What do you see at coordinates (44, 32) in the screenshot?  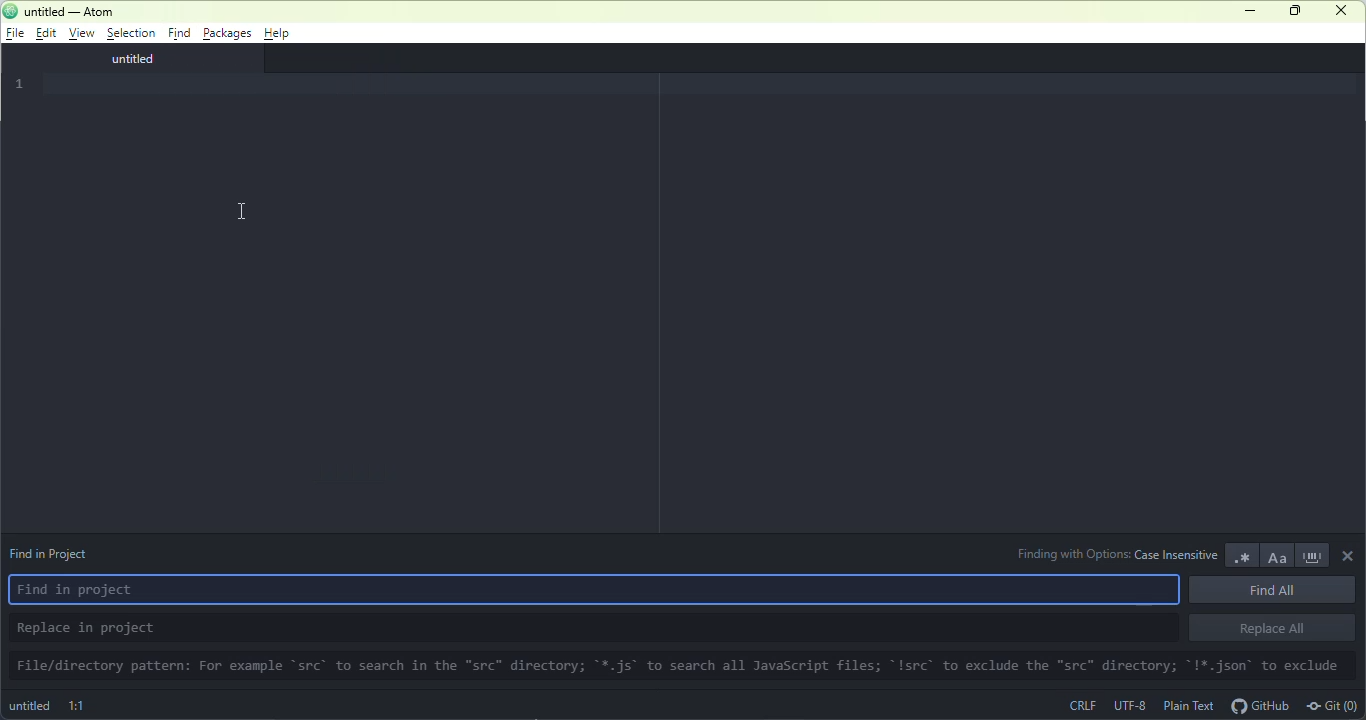 I see `edit` at bounding box center [44, 32].